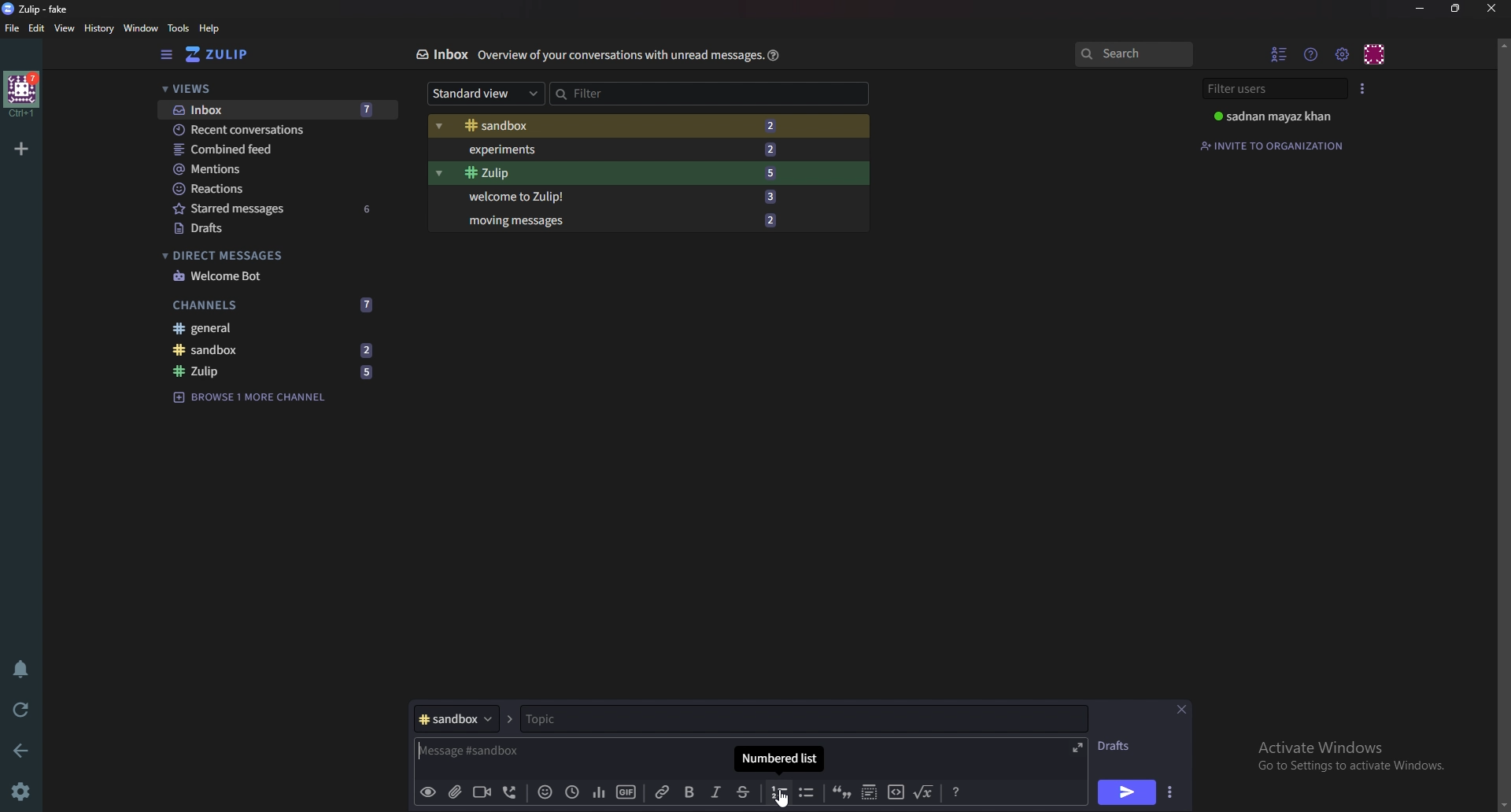 This screenshot has width=1511, height=812. I want to click on Moving messages, so click(620, 220).